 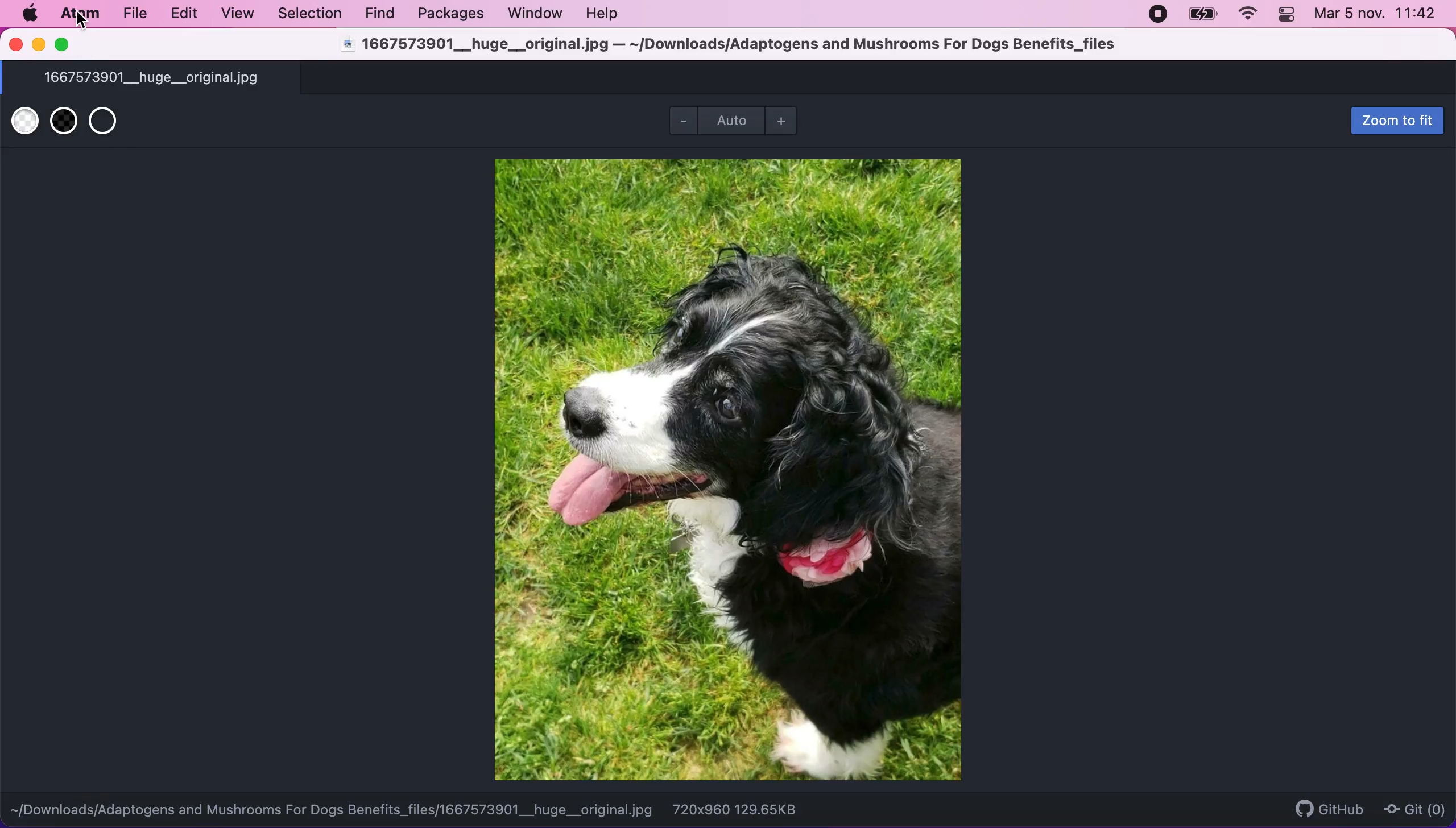 What do you see at coordinates (609, 15) in the screenshot?
I see `help` at bounding box center [609, 15].